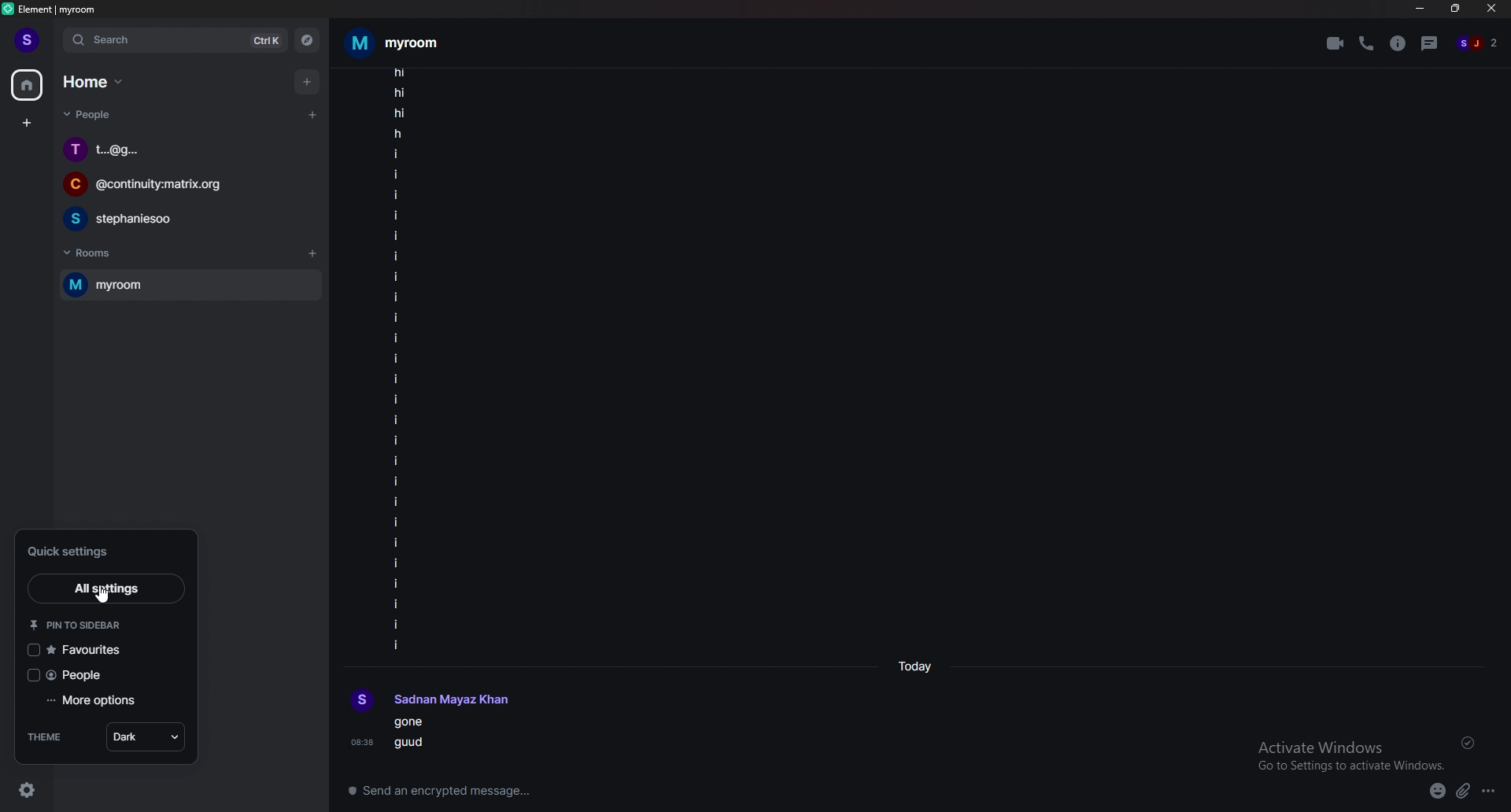  I want to click on minimize, so click(1421, 9).